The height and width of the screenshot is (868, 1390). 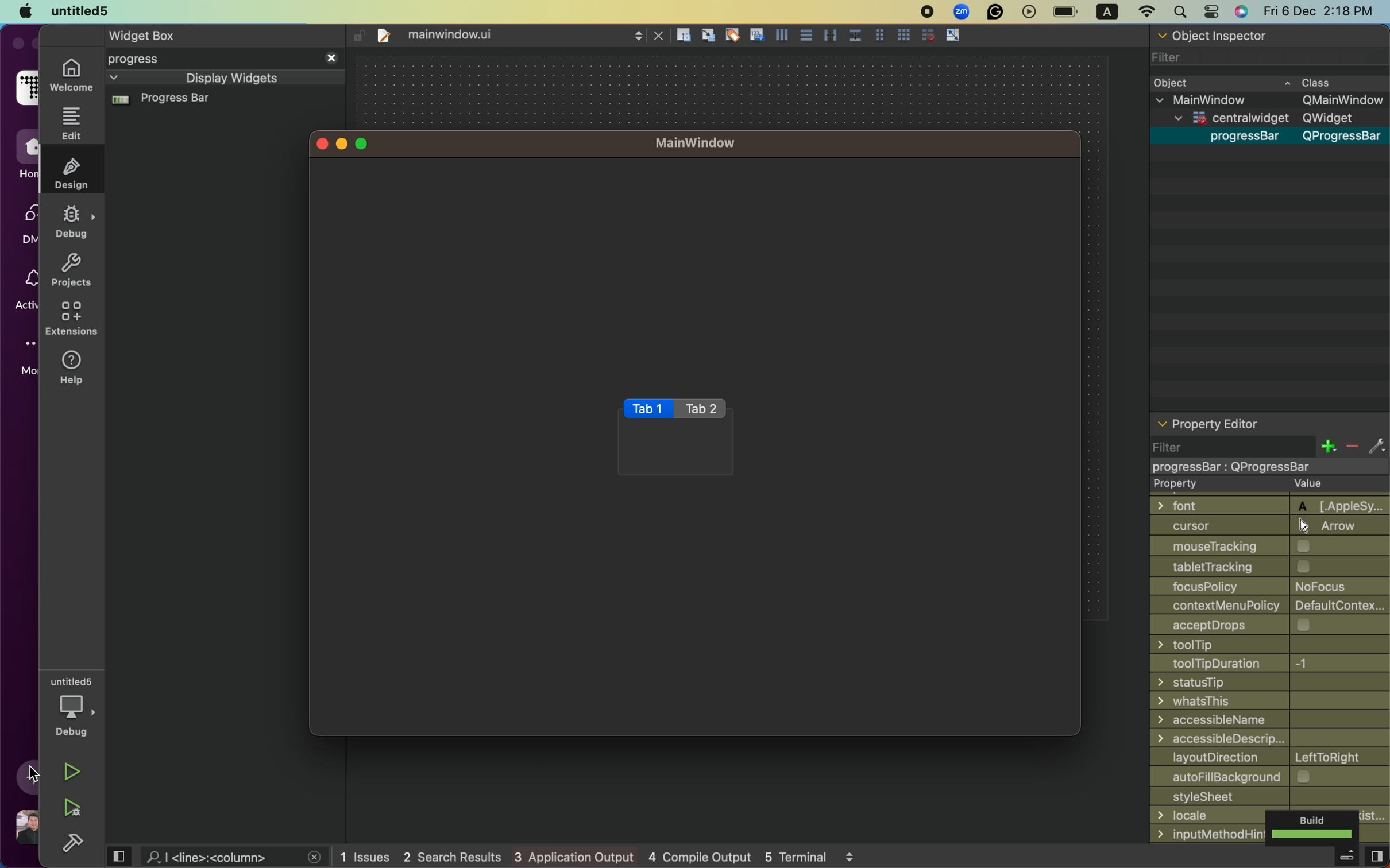 I want to click on accessible name, so click(x=1268, y=722).